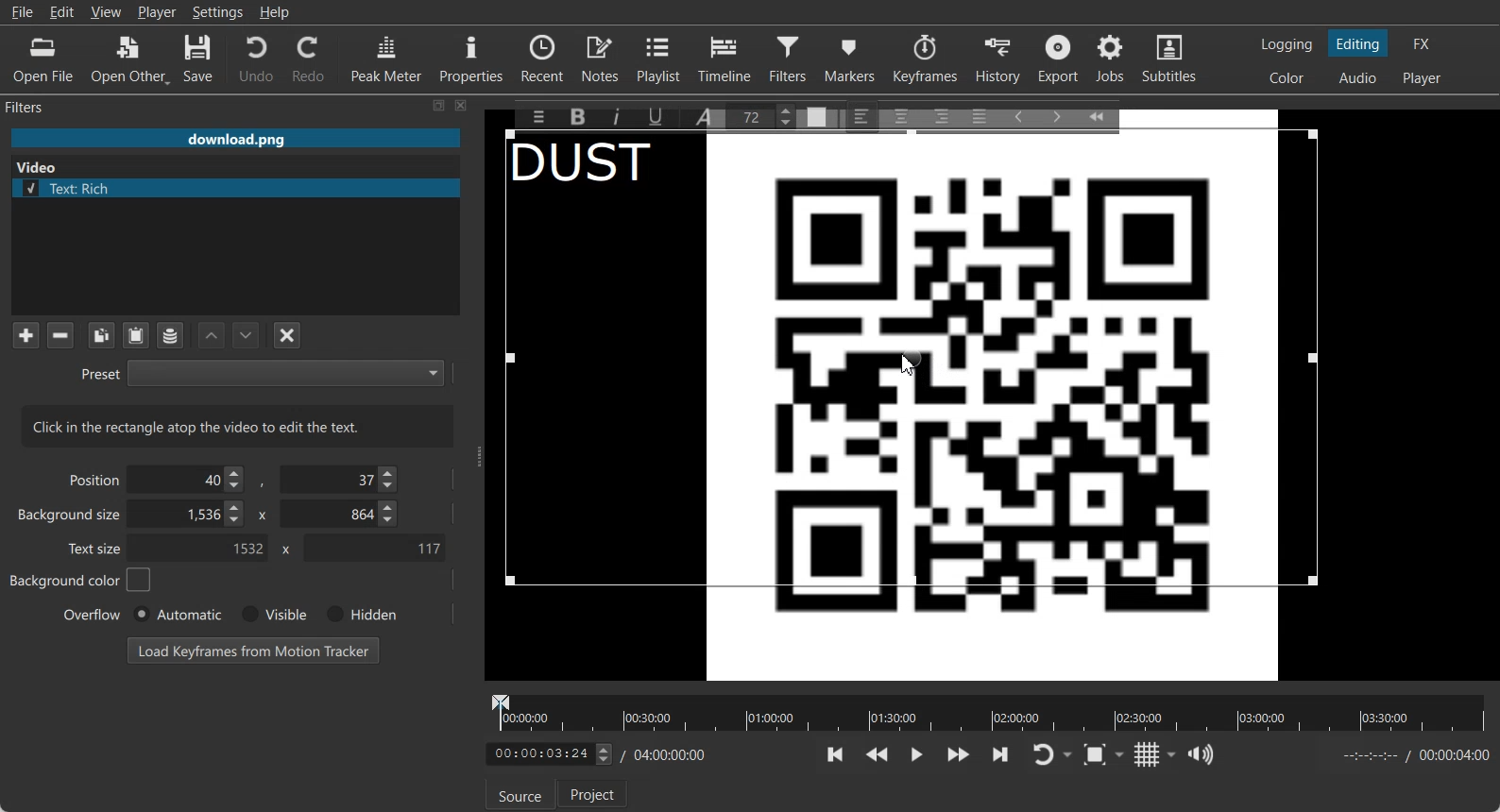 This screenshot has height=812, width=1500. I want to click on Switching to the Audio layout, so click(1359, 78).